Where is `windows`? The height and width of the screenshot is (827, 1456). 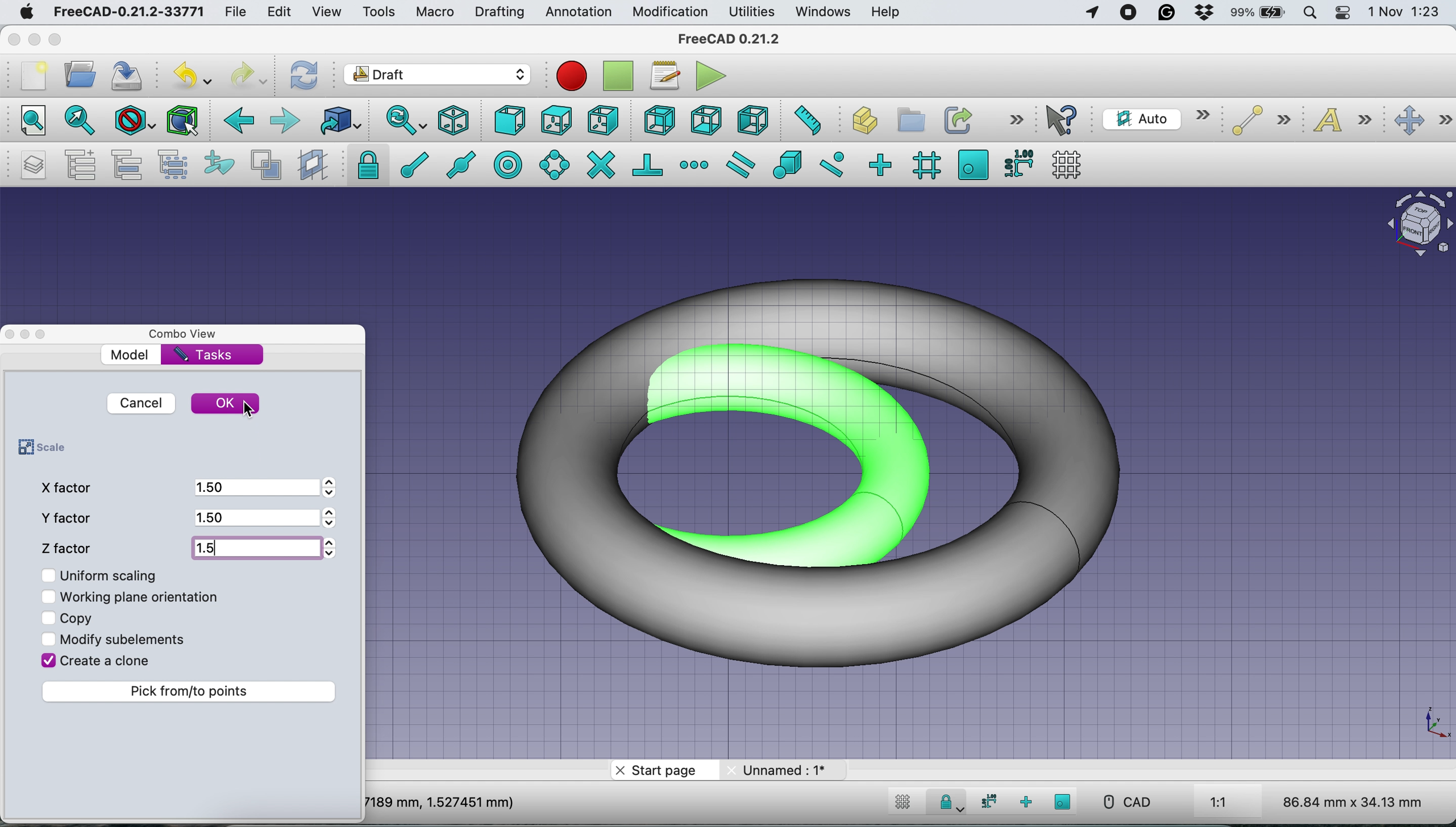
windows is located at coordinates (826, 12).